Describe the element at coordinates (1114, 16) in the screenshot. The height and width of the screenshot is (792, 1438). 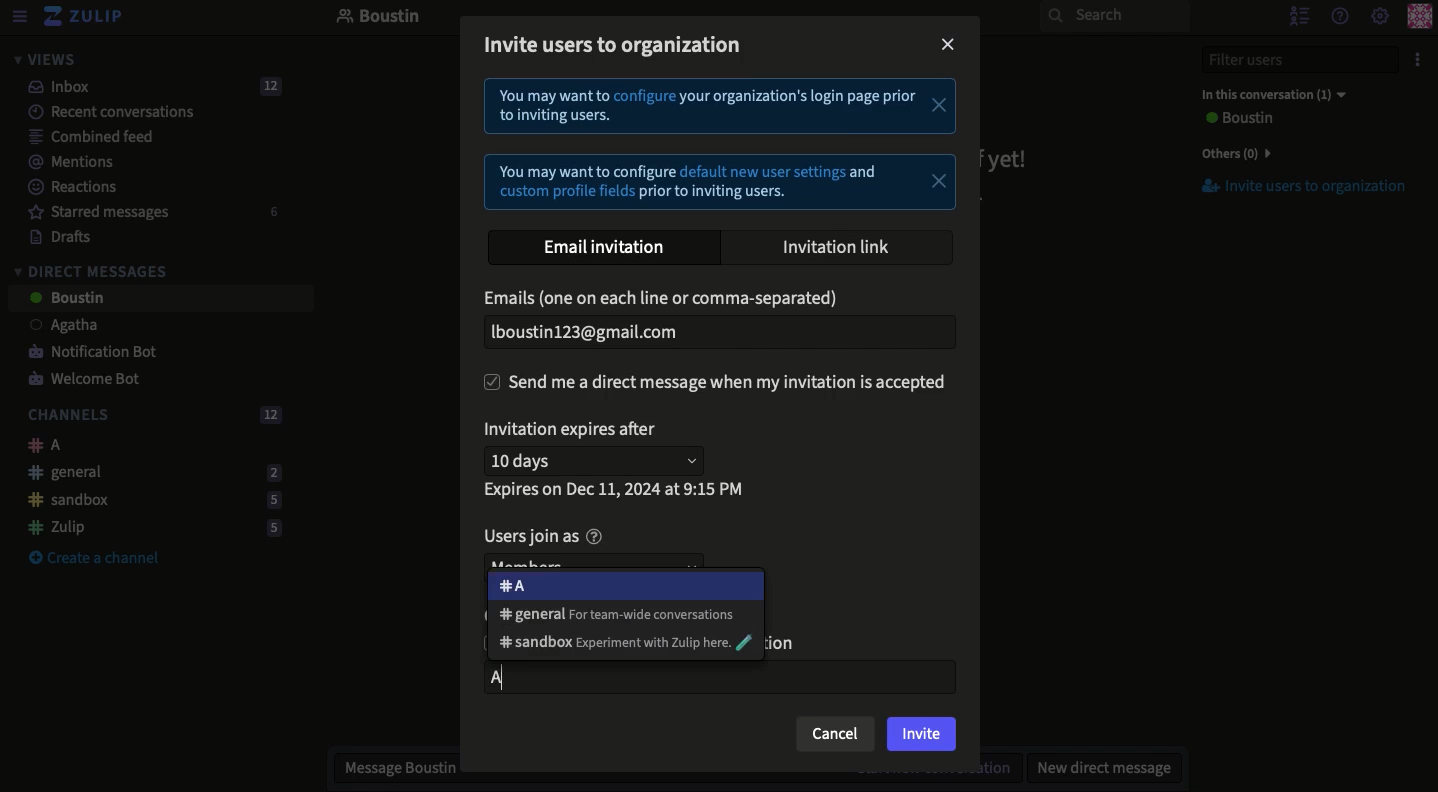
I see `Search ` at that location.